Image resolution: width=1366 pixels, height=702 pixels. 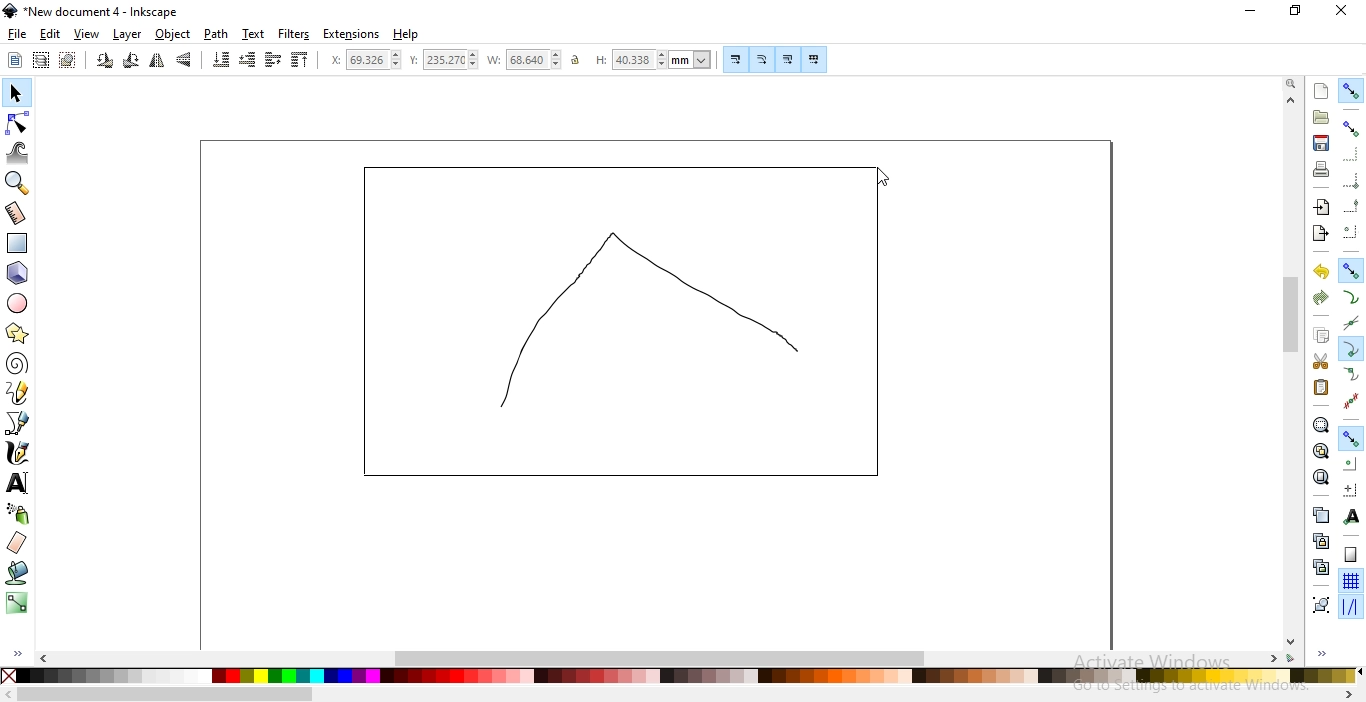 What do you see at coordinates (1319, 424) in the screenshot?
I see `zoom to fit selection` at bounding box center [1319, 424].